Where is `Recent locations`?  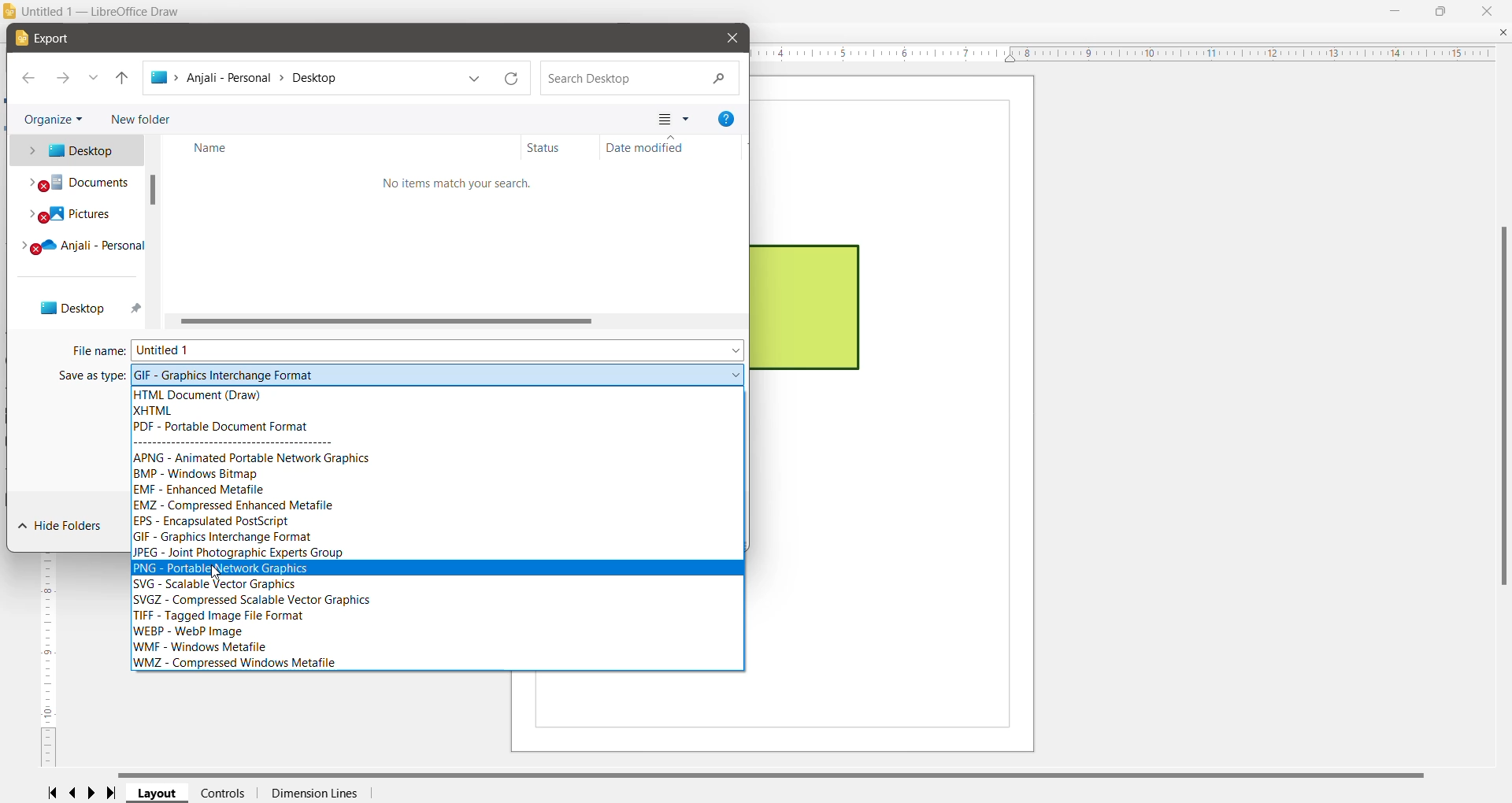 Recent locations is located at coordinates (94, 79).